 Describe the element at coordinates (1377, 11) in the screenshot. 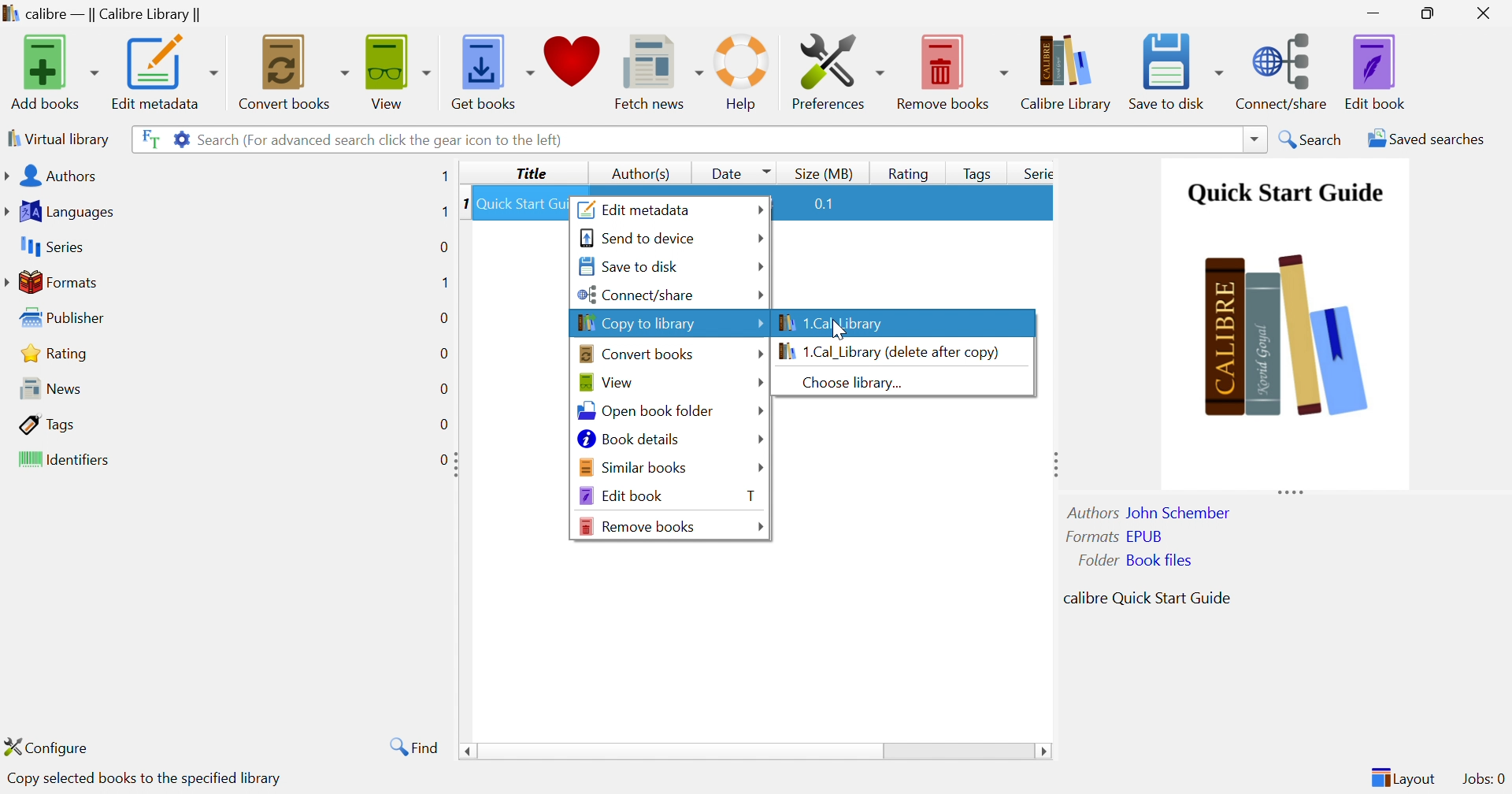

I see `Minimize` at that location.